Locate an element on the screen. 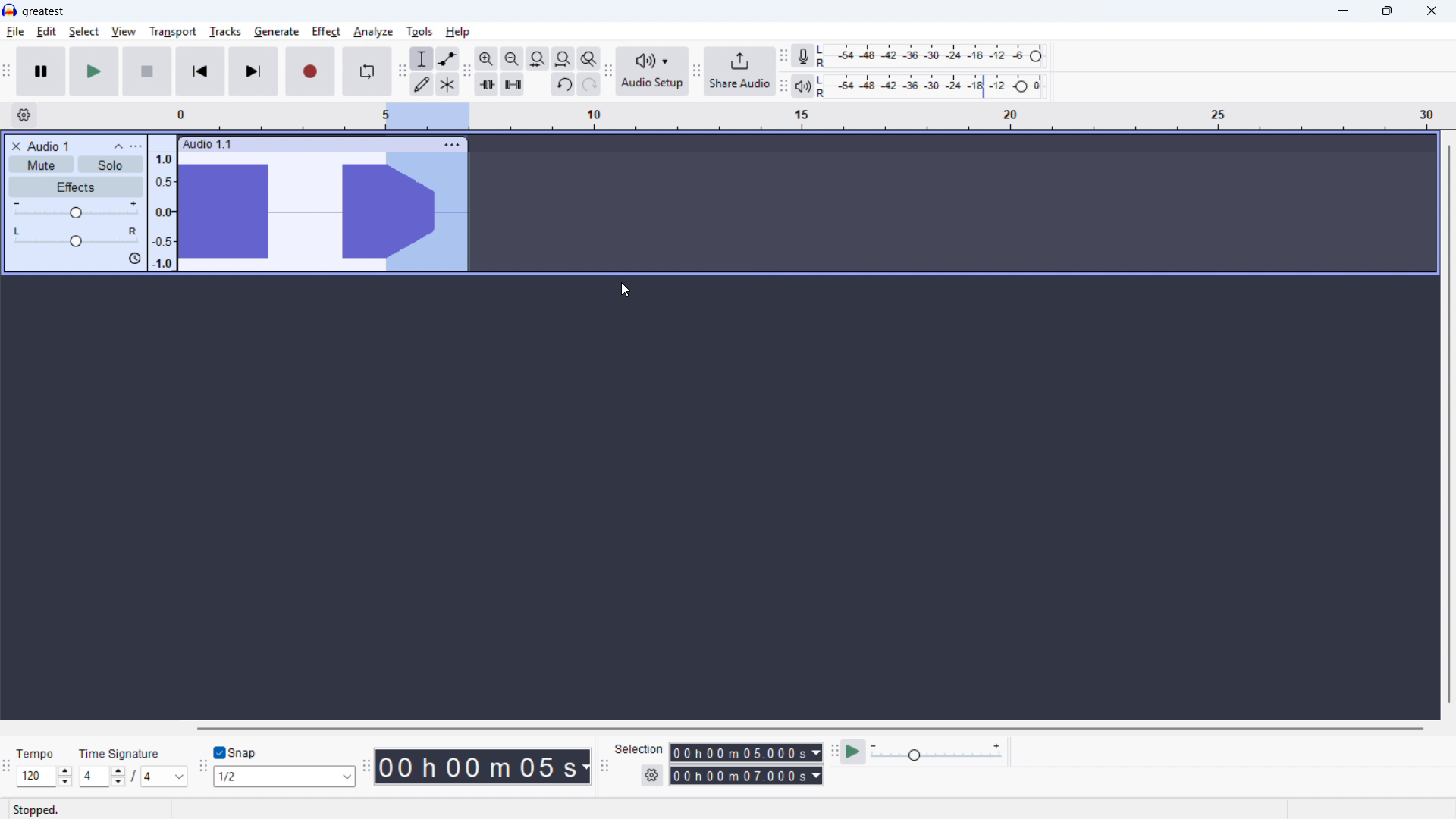 The width and height of the screenshot is (1456, 819). Selection settings  is located at coordinates (653, 775).